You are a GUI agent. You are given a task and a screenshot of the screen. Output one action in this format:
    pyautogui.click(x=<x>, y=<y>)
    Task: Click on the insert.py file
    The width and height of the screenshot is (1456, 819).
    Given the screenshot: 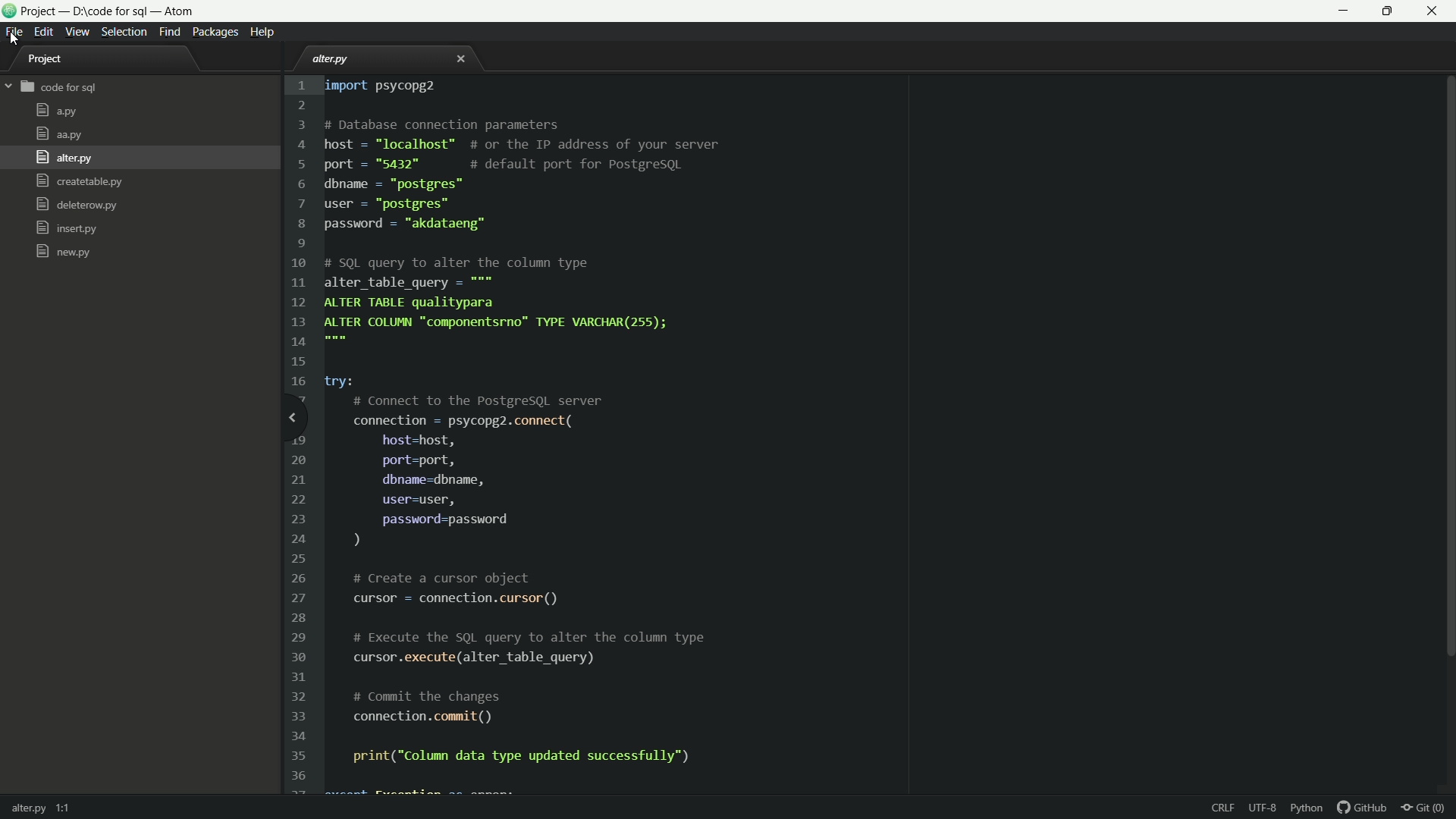 What is the action you would take?
    pyautogui.click(x=67, y=228)
    